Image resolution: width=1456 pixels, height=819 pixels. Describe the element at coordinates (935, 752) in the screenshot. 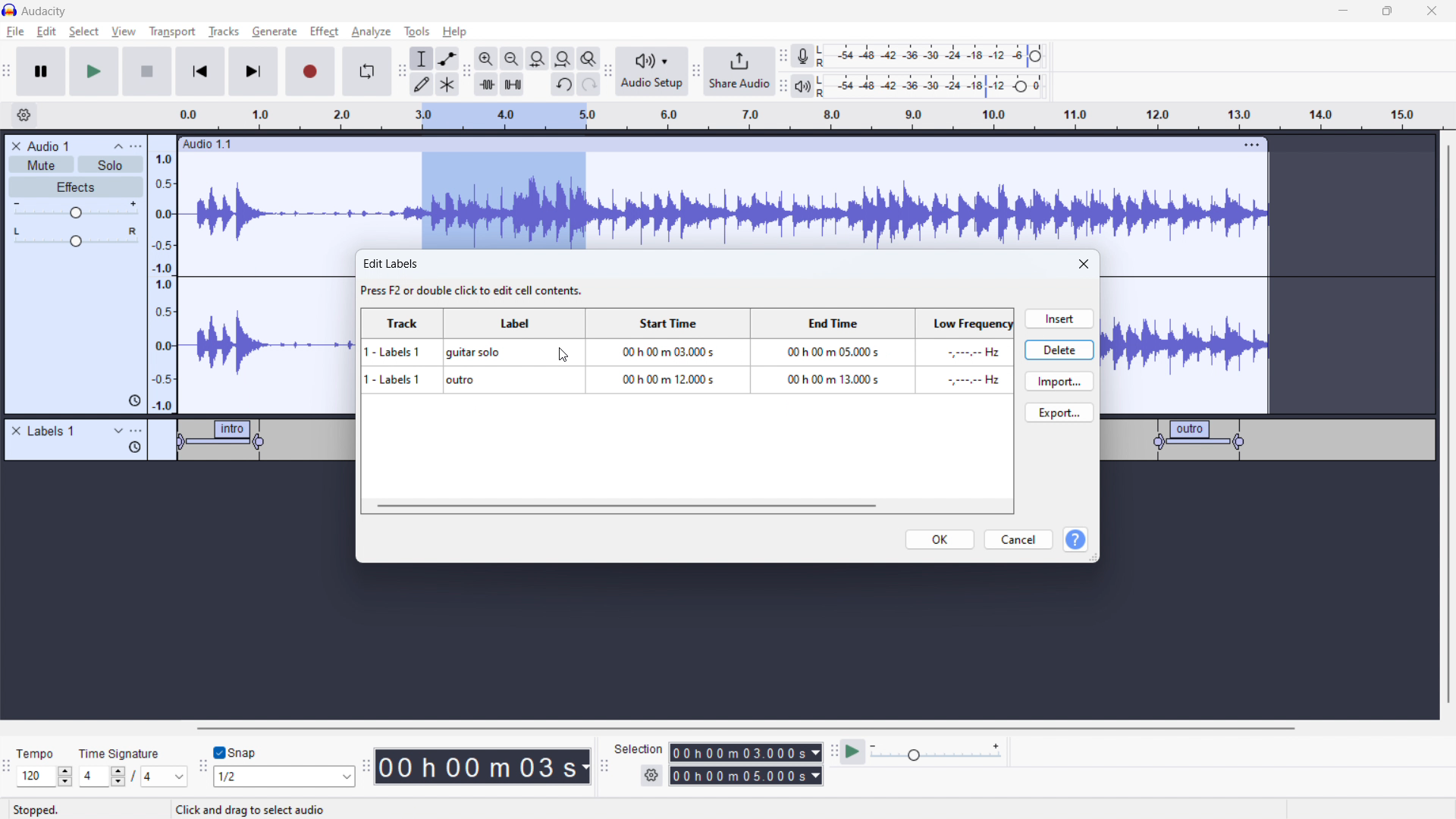

I see `playback speed` at that location.